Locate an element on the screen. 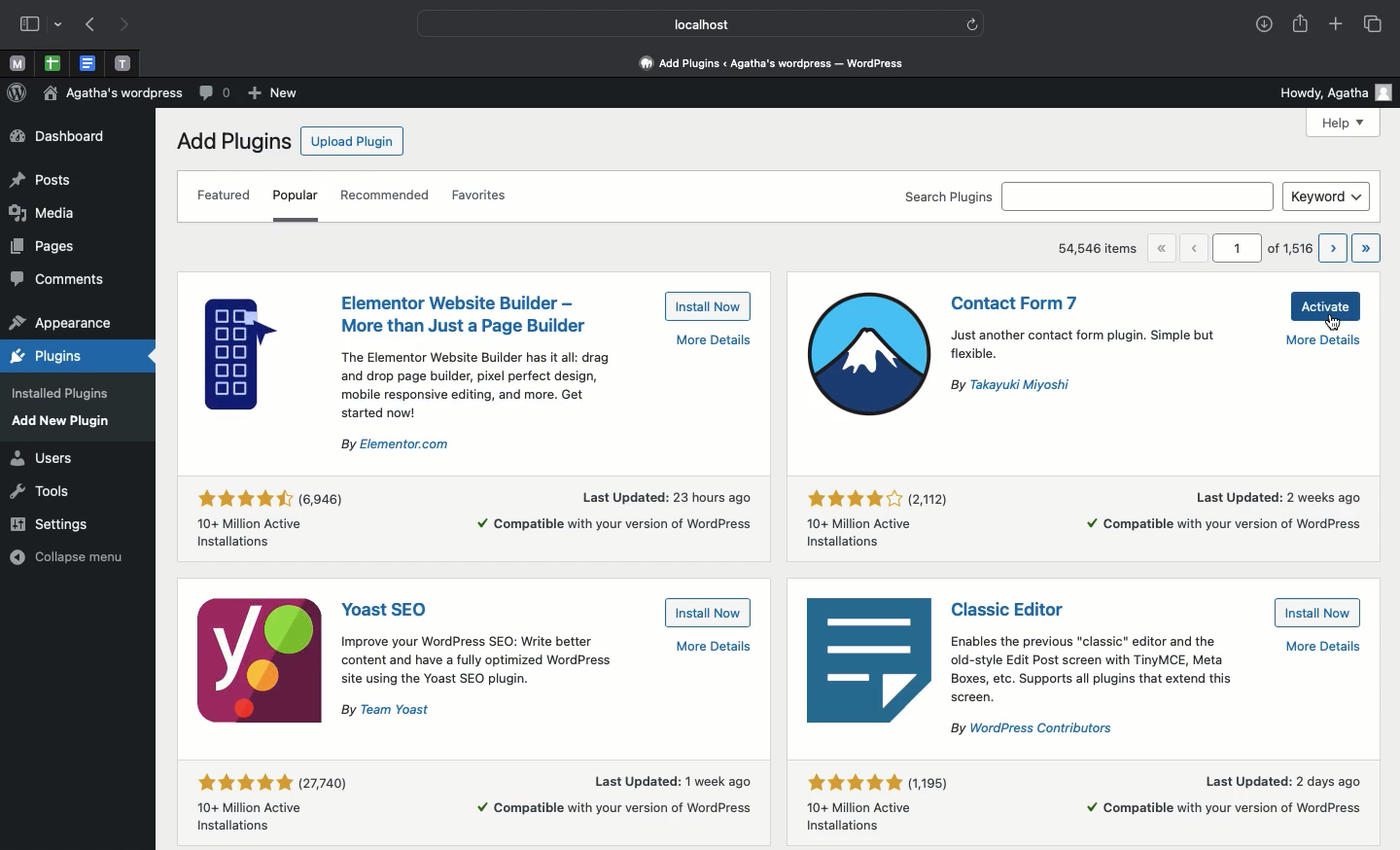 This screenshot has width=1400, height=850. add new plugin is located at coordinates (66, 421).